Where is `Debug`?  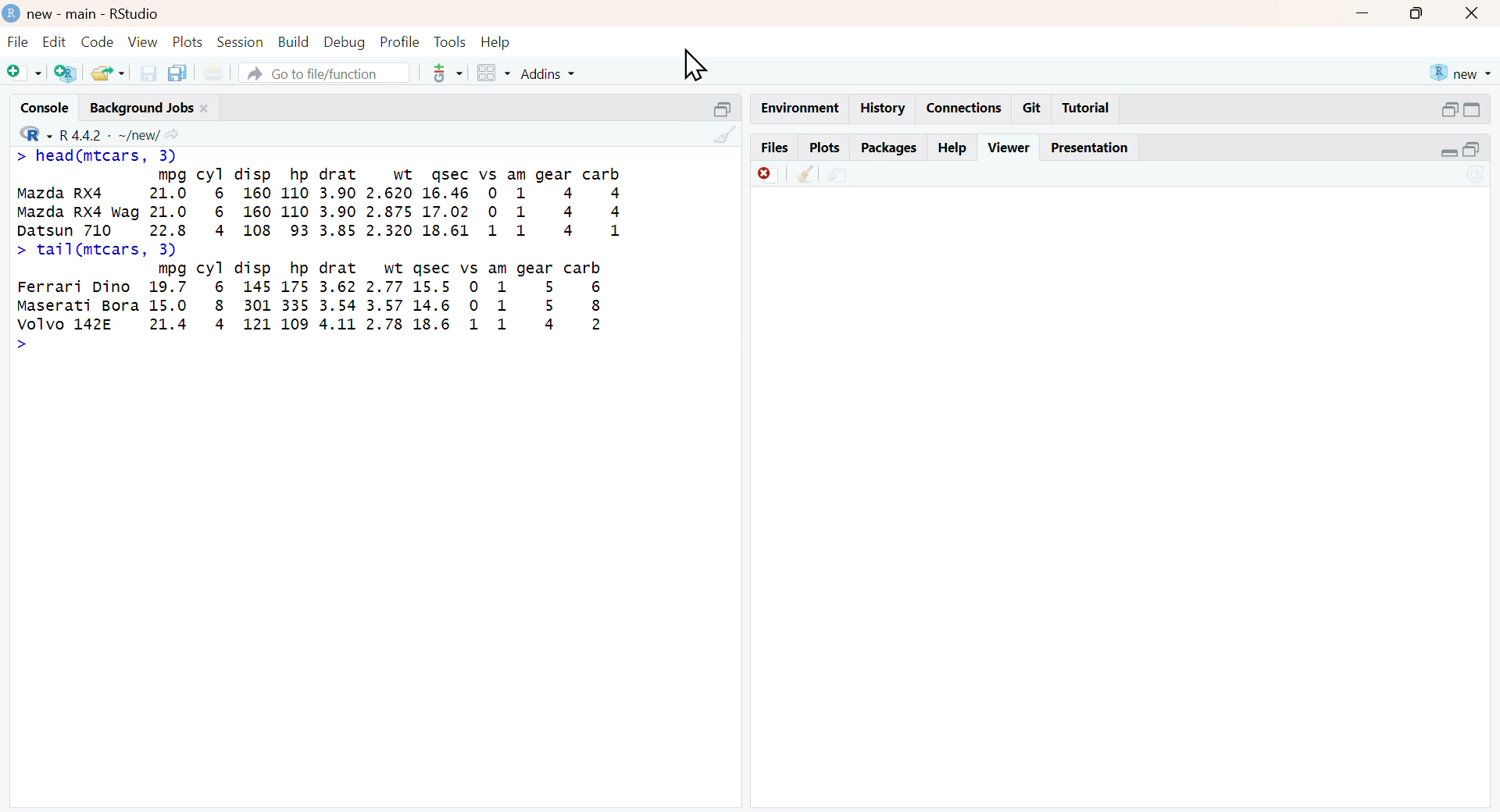 Debug is located at coordinates (343, 42).